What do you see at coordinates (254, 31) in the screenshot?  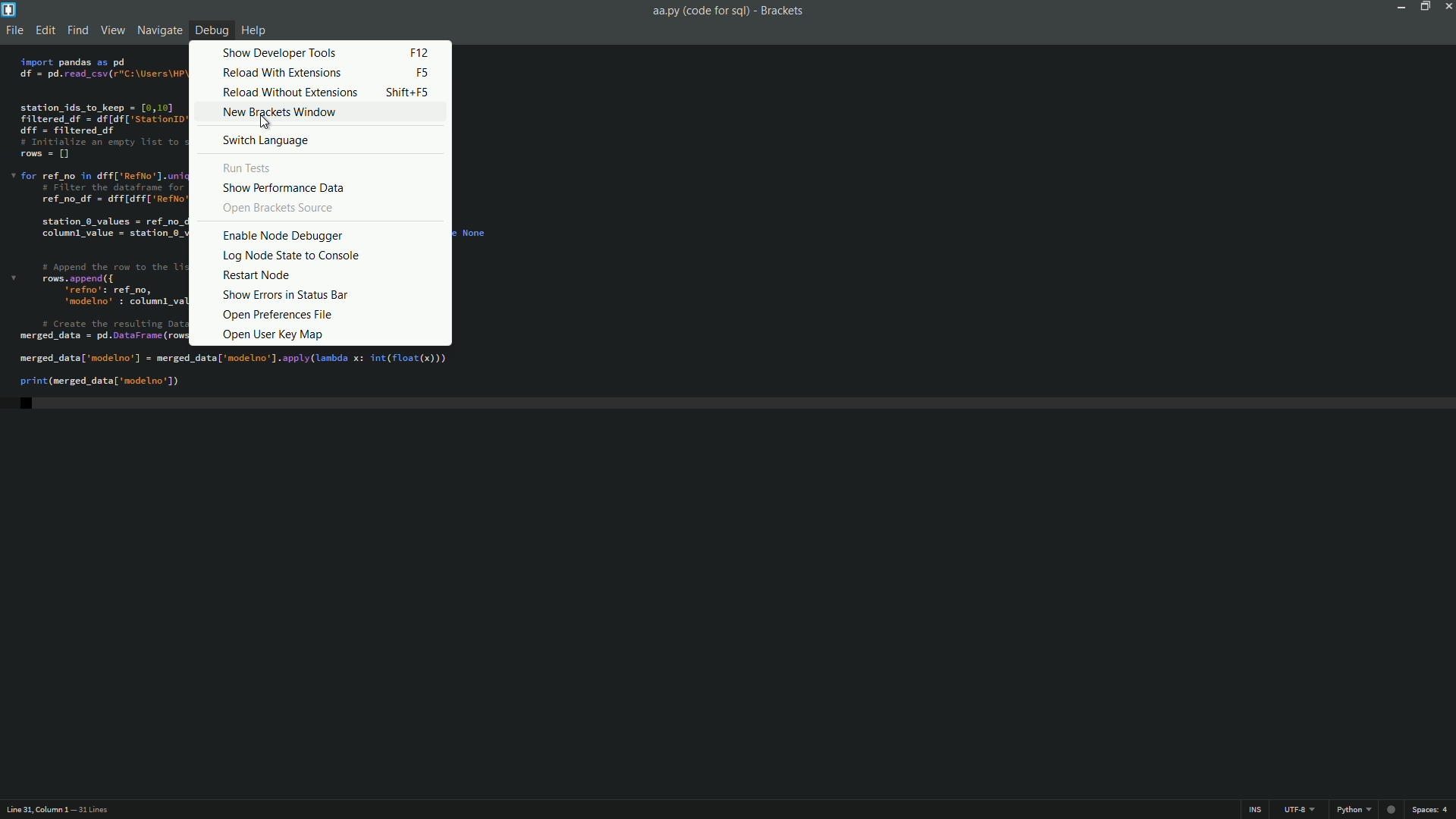 I see `Help menu` at bounding box center [254, 31].